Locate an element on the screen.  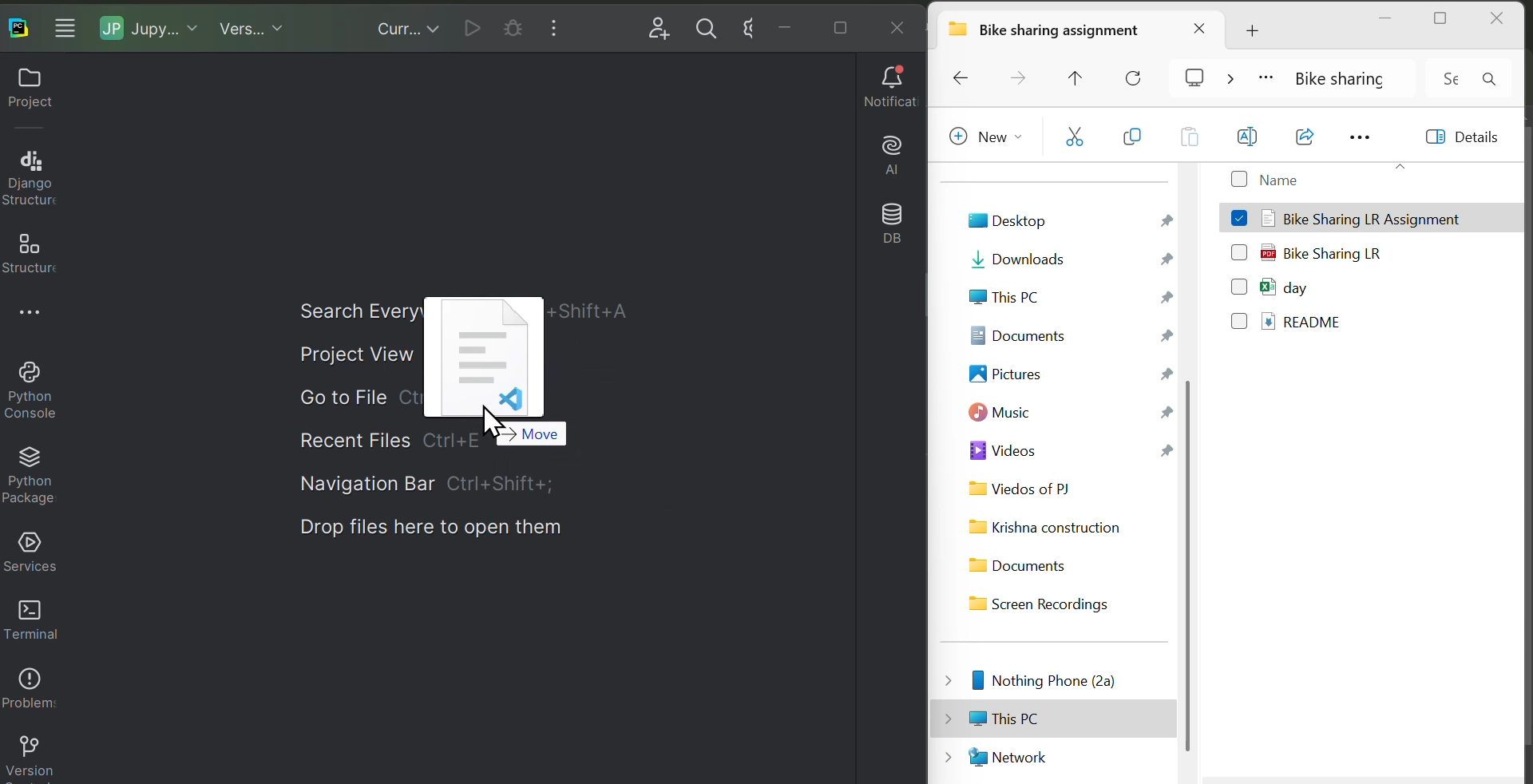
cast screen is located at coordinates (1206, 80).